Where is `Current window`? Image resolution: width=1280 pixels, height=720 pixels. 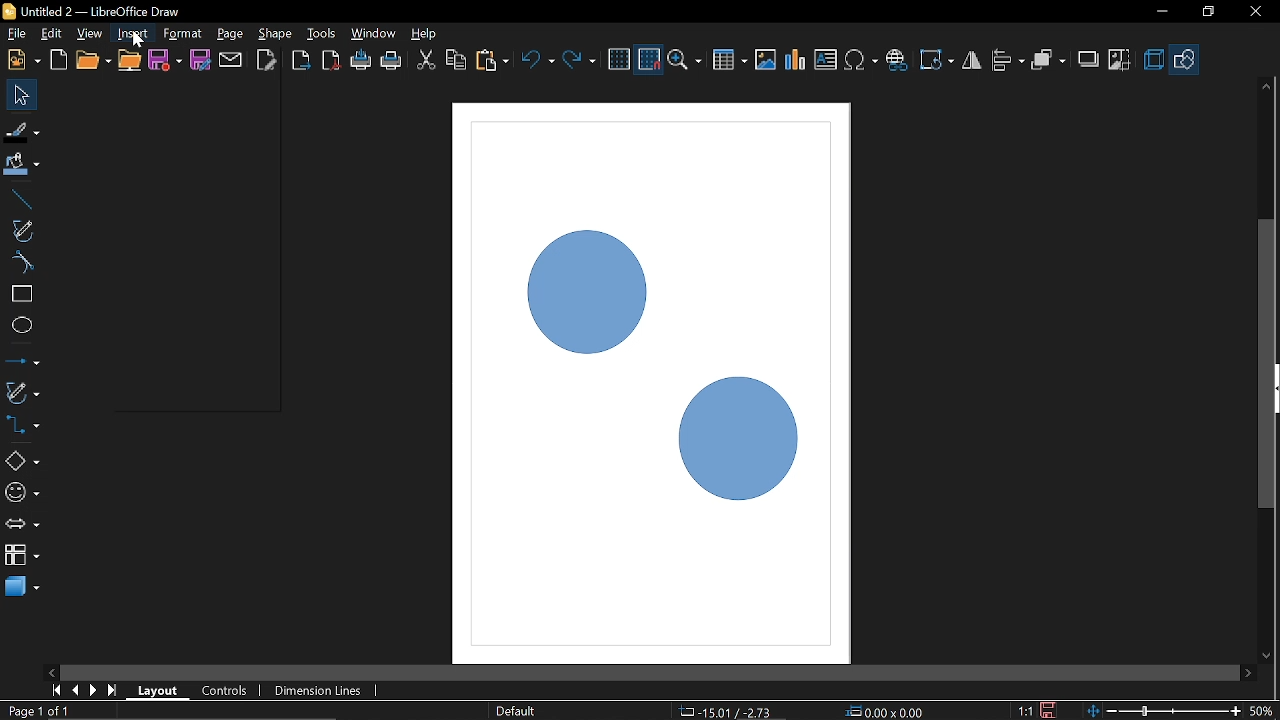 Current window is located at coordinates (90, 11).